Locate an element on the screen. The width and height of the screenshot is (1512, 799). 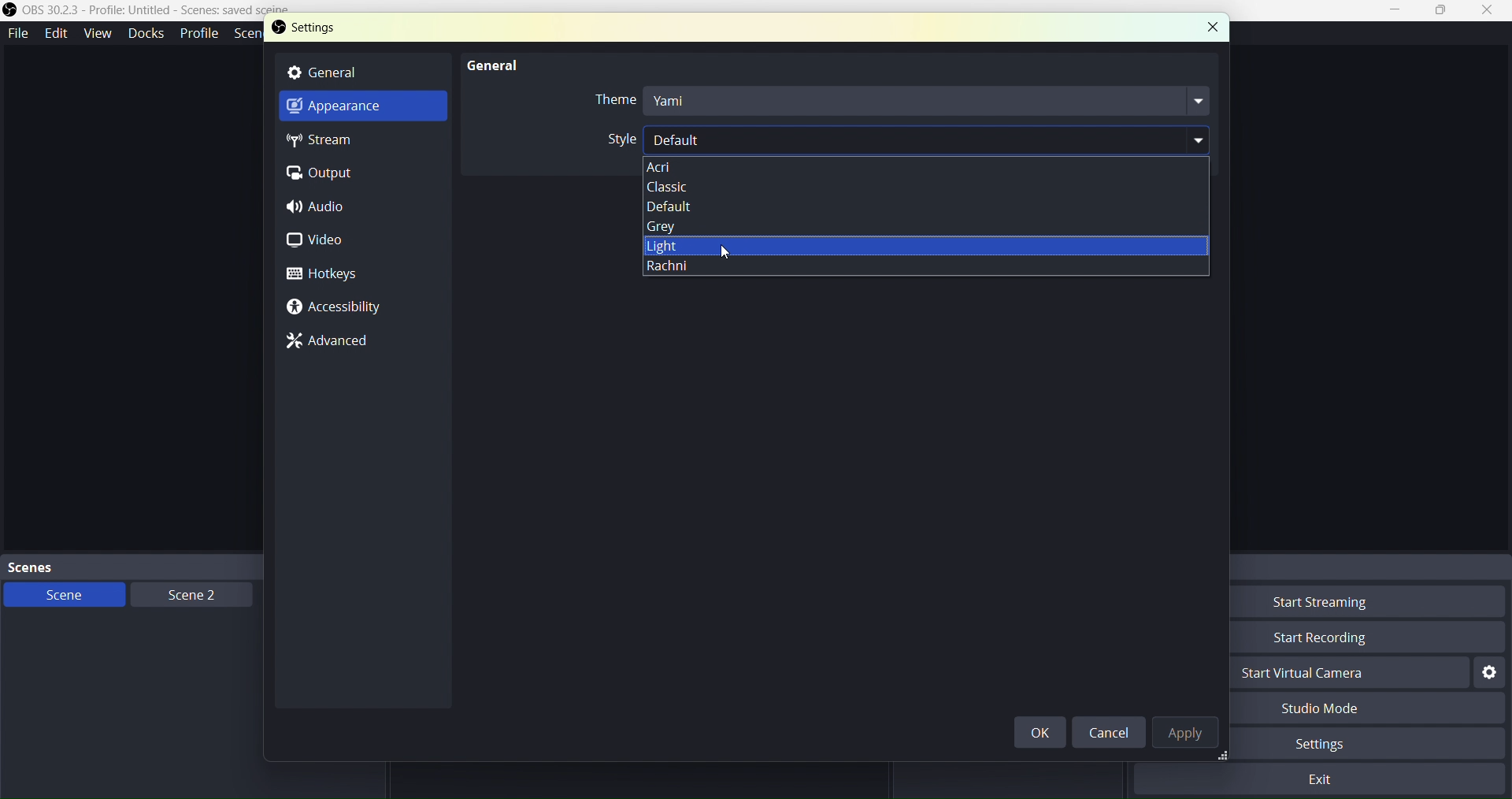
General is located at coordinates (488, 62).